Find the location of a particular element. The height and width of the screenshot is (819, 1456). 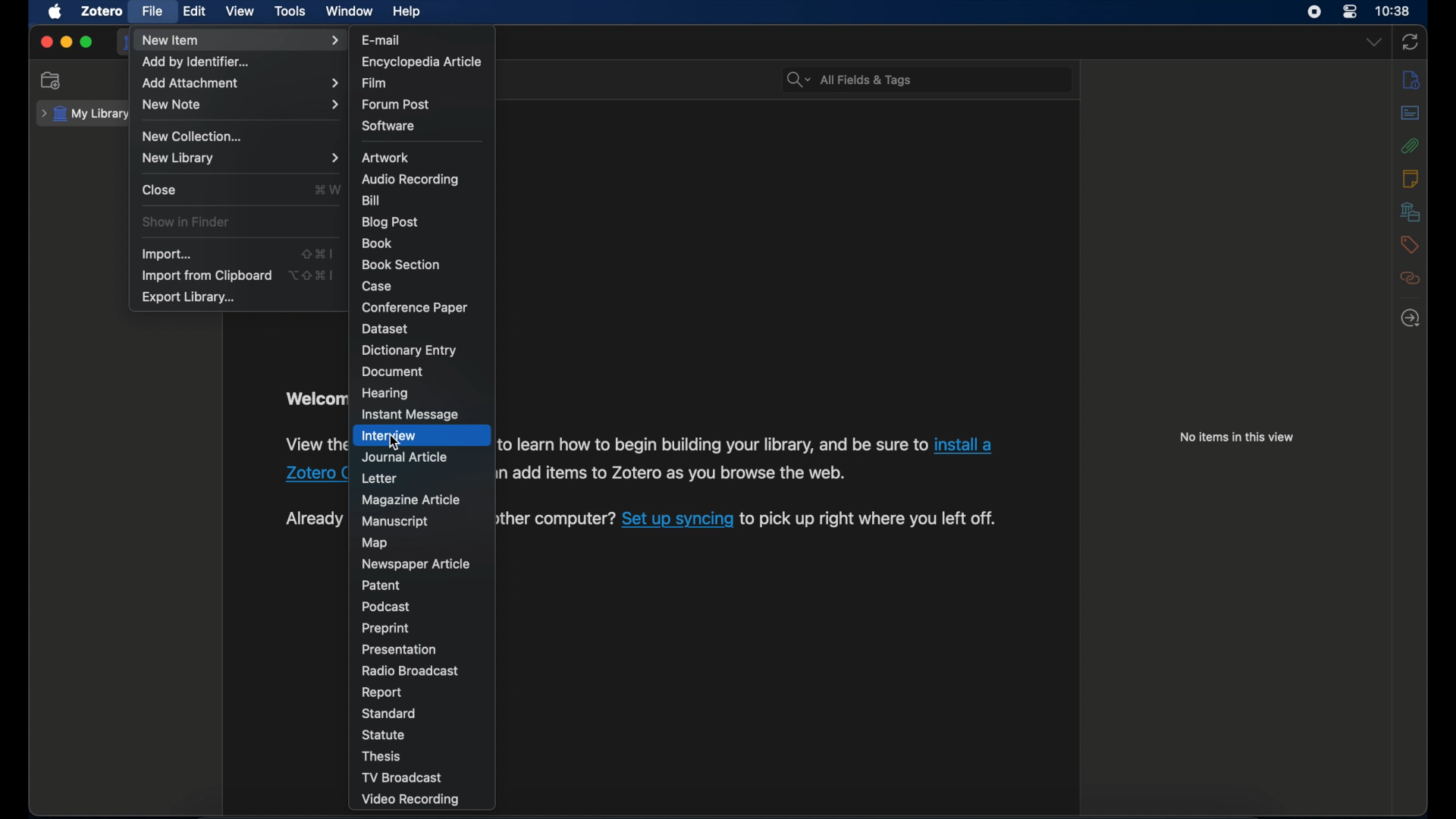

letter is located at coordinates (378, 478).